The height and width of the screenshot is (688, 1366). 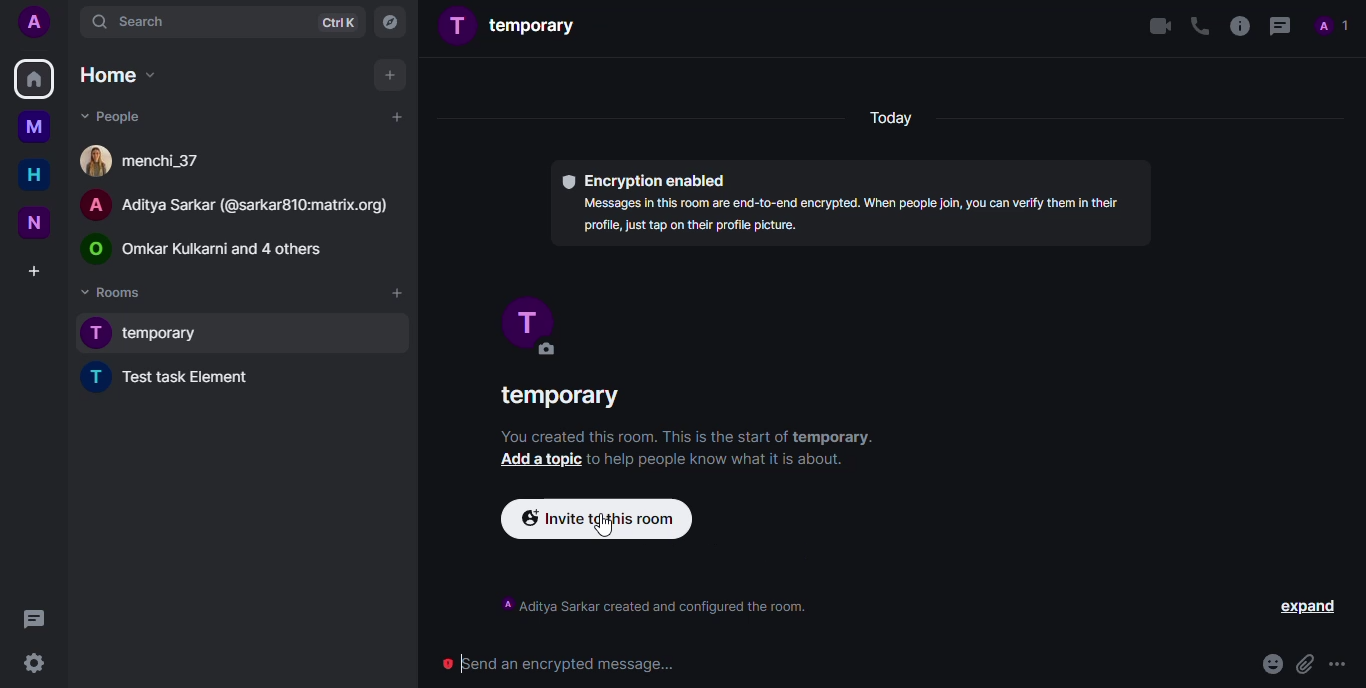 What do you see at coordinates (33, 78) in the screenshot?
I see `home` at bounding box center [33, 78].